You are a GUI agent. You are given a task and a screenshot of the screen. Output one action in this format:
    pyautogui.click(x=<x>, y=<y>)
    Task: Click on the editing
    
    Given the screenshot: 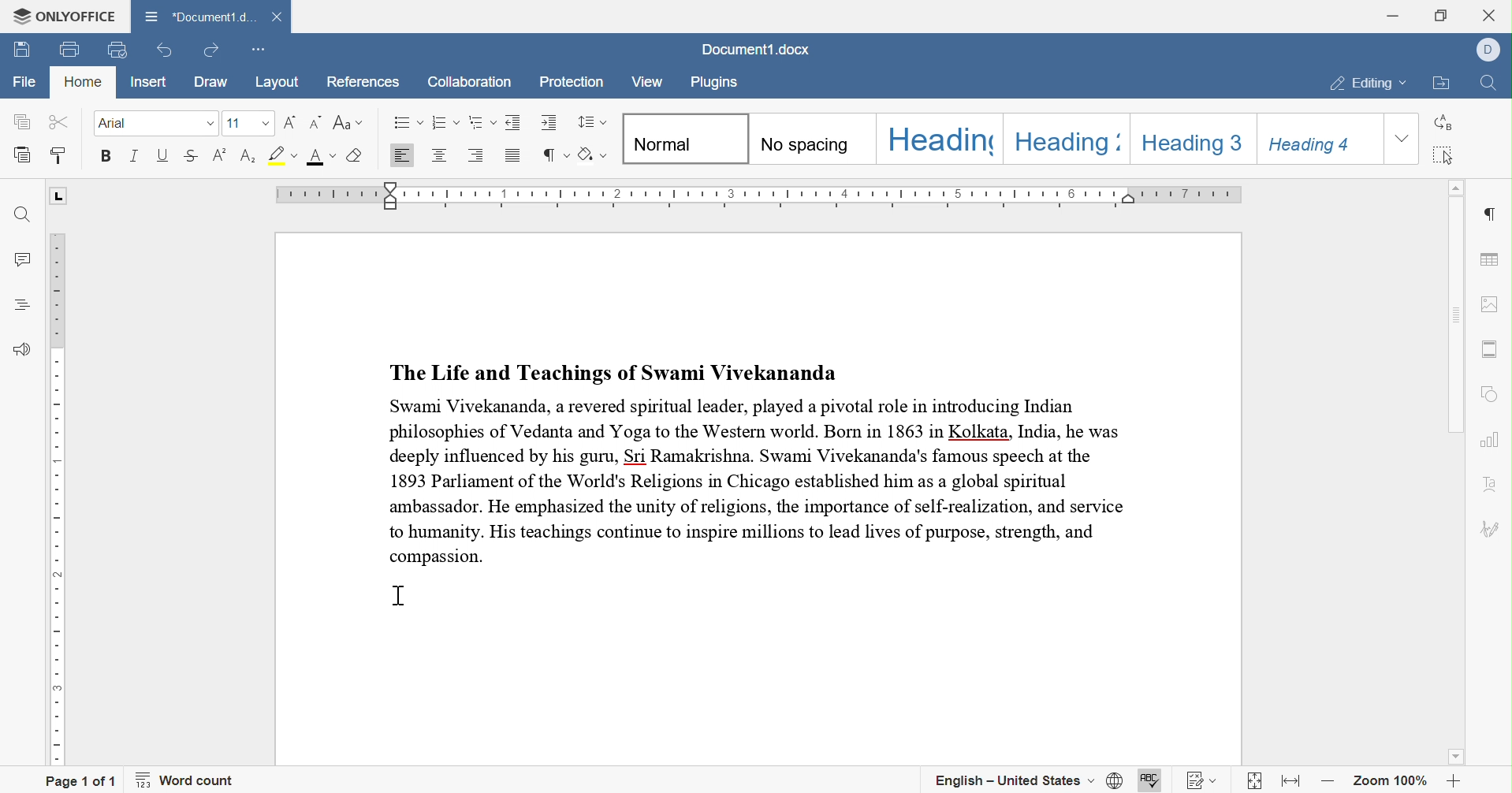 What is the action you would take?
    pyautogui.click(x=1370, y=85)
    